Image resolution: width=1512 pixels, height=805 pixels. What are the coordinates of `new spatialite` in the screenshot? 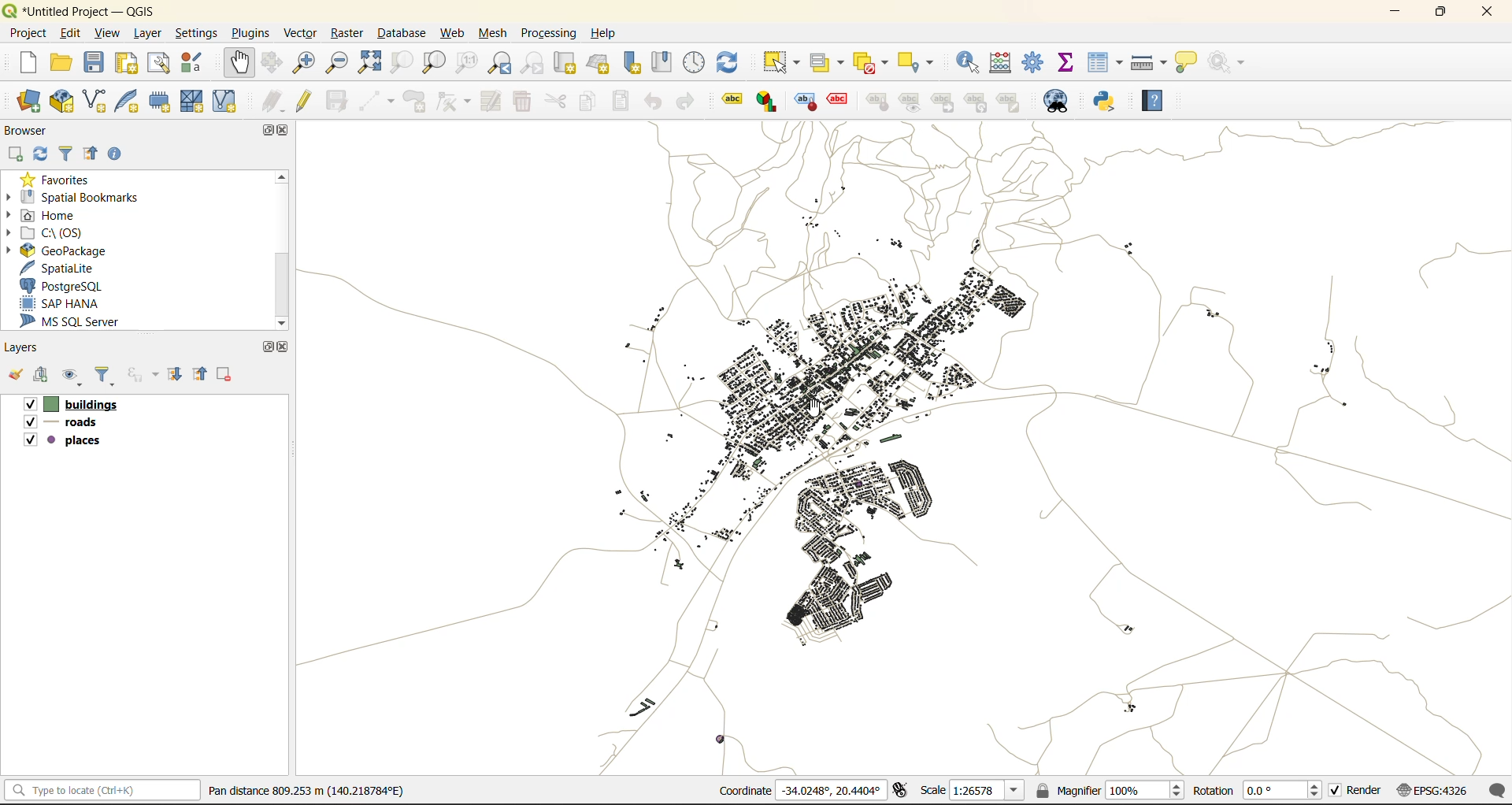 It's located at (130, 100).